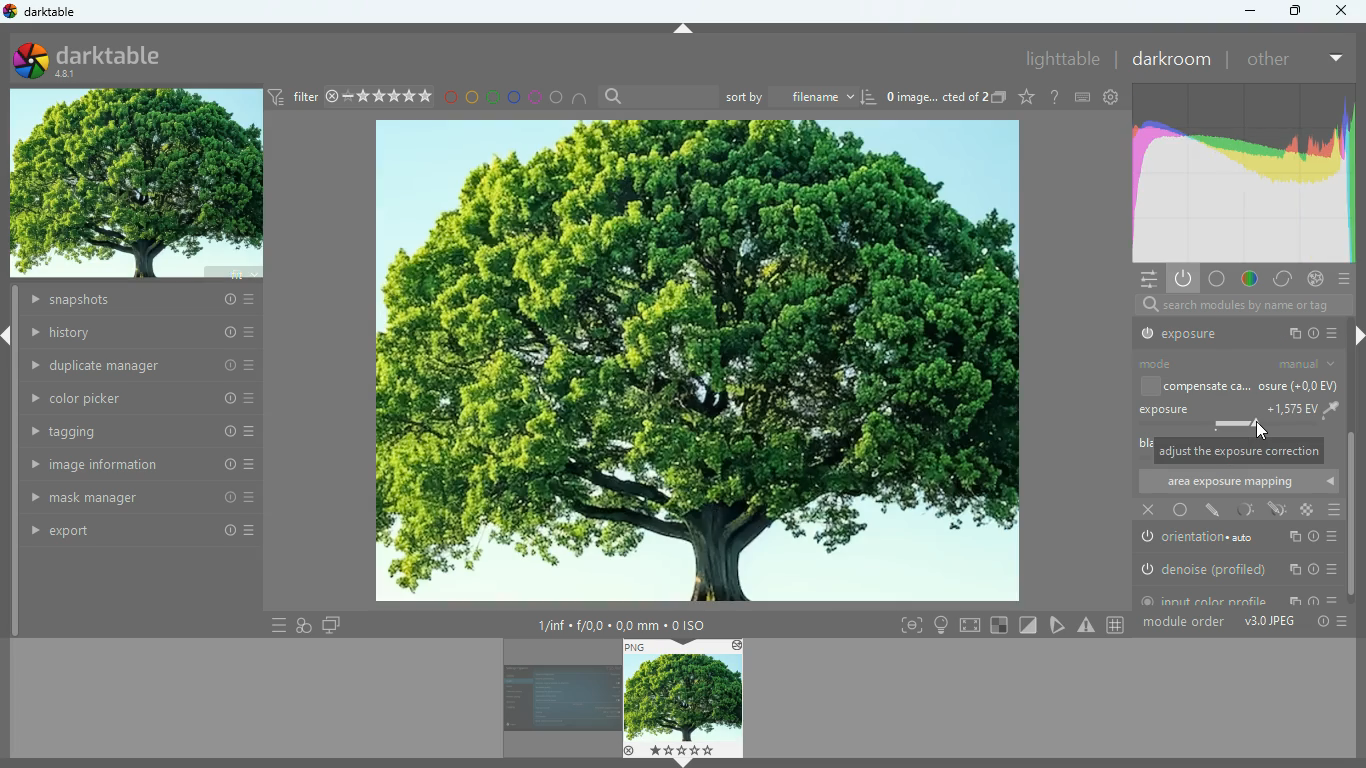 The height and width of the screenshot is (768, 1366). Describe the element at coordinates (676, 27) in the screenshot. I see `Up` at that location.